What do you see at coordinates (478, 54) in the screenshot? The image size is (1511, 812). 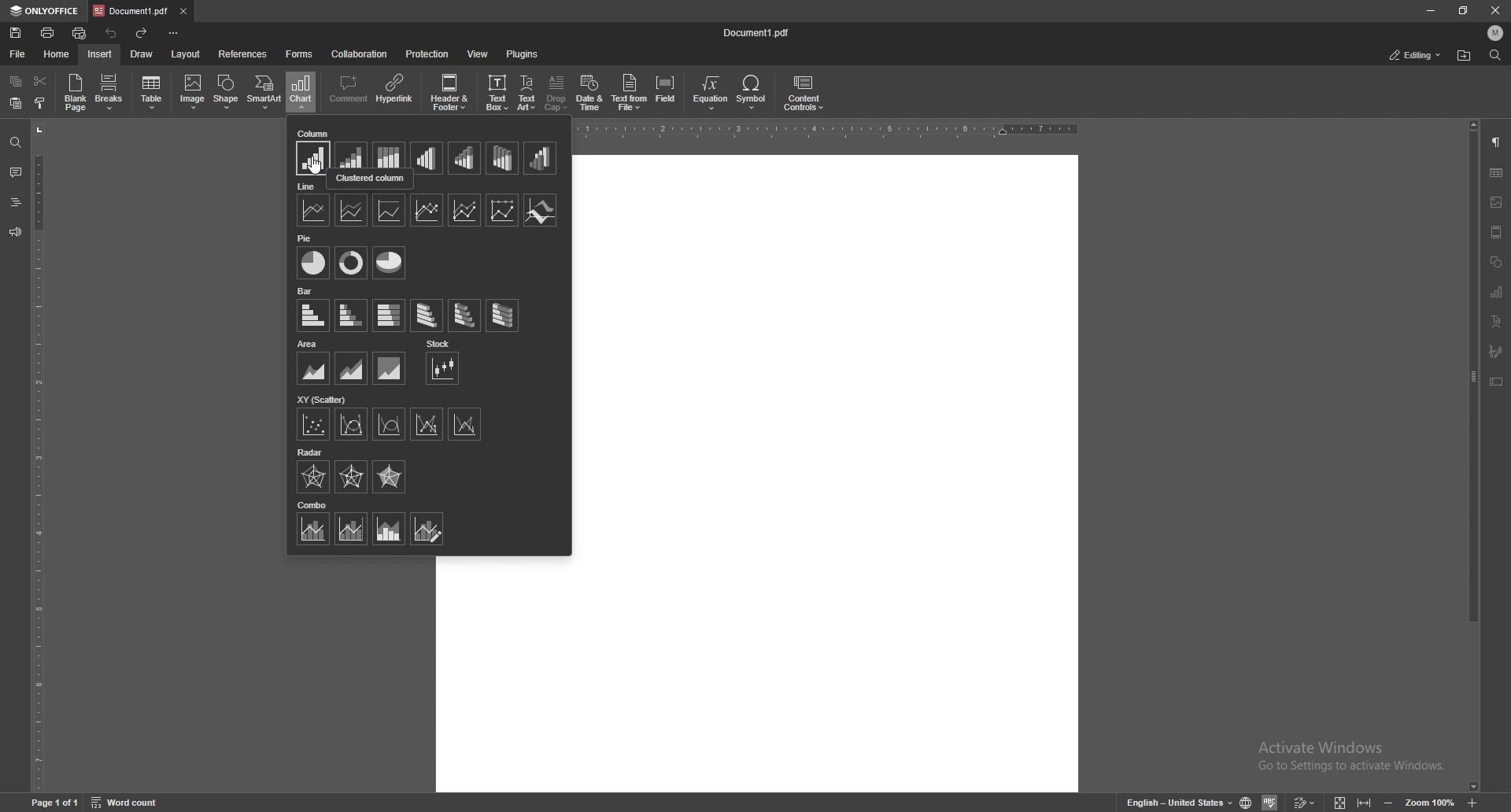 I see `view` at bounding box center [478, 54].